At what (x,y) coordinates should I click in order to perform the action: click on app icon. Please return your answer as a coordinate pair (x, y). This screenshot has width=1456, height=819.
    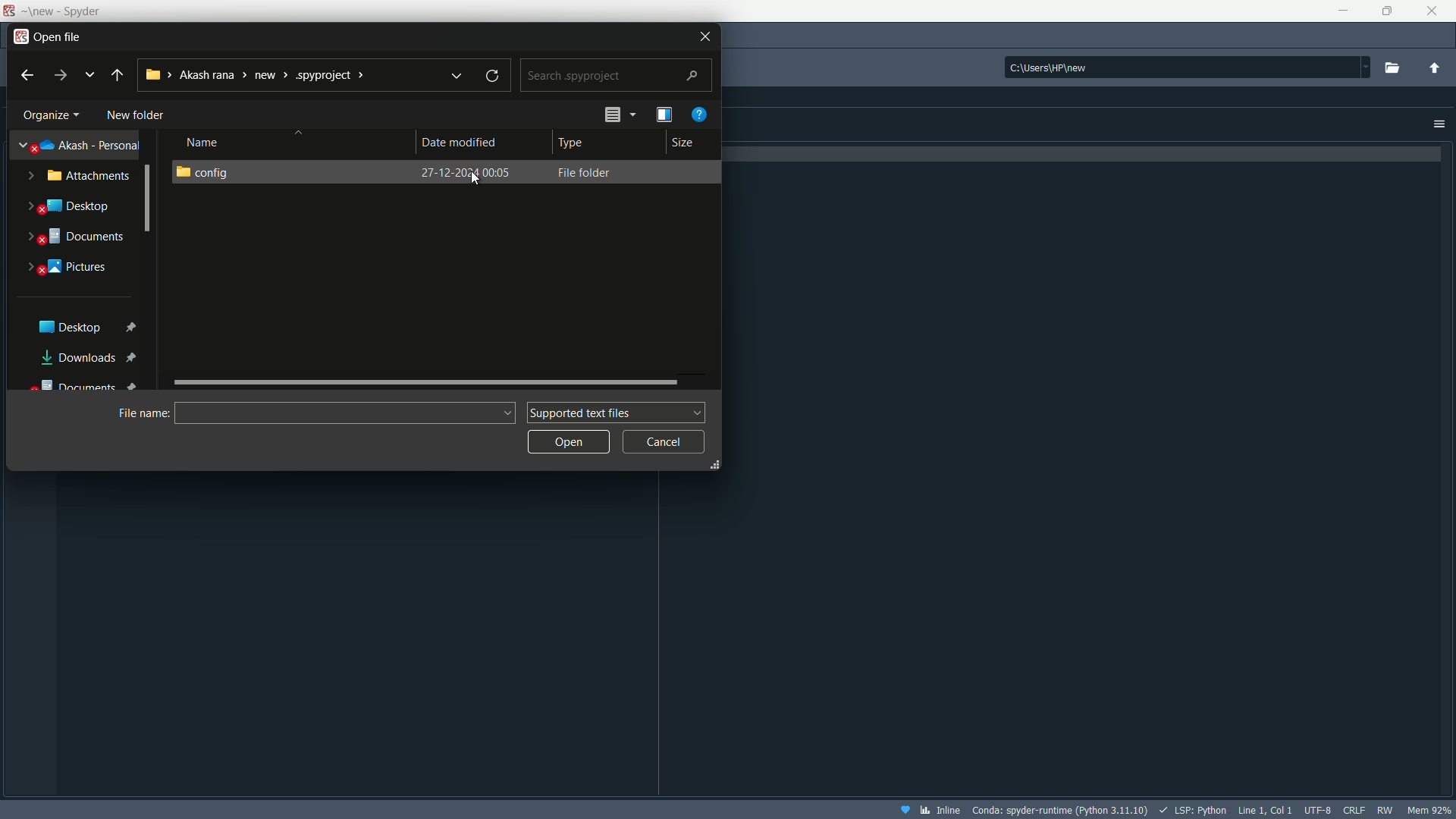
    Looking at the image, I should click on (19, 35).